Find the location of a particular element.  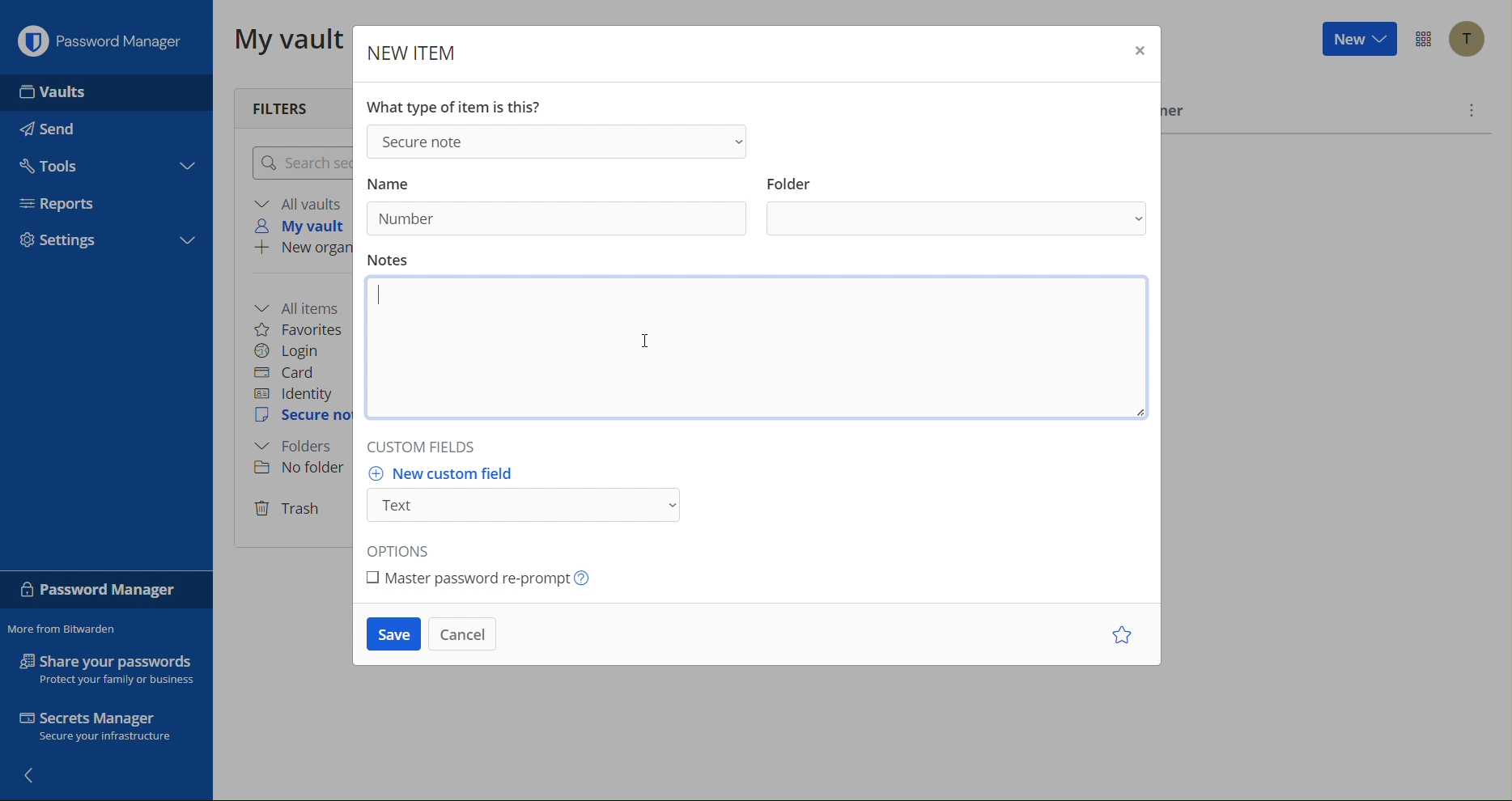

Owner is located at coordinates (1179, 114).